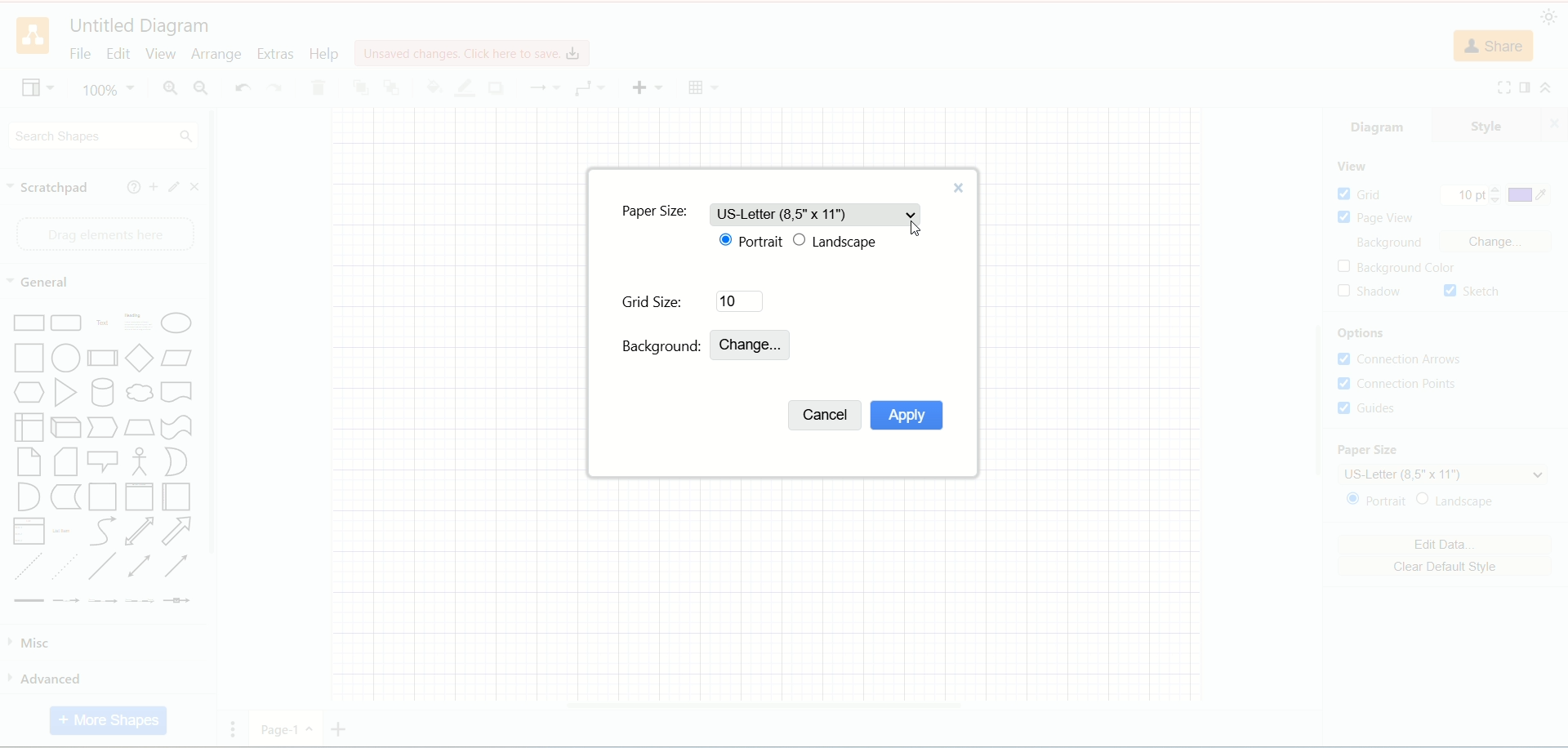 This screenshot has height=748, width=1568. I want to click on Curved Corner Rectangle, so click(67, 325).